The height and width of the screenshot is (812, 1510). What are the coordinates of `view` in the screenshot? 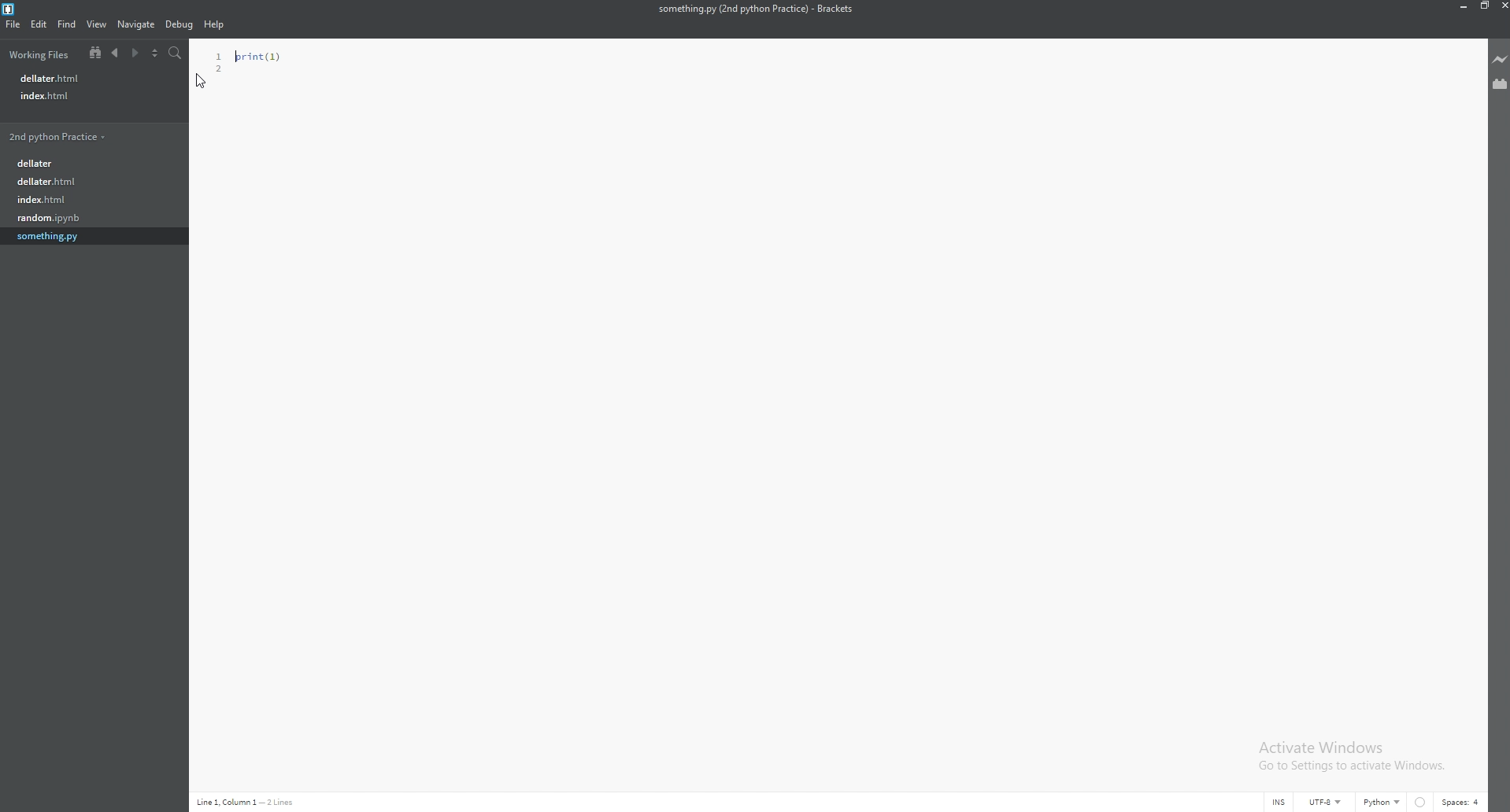 It's located at (98, 24).